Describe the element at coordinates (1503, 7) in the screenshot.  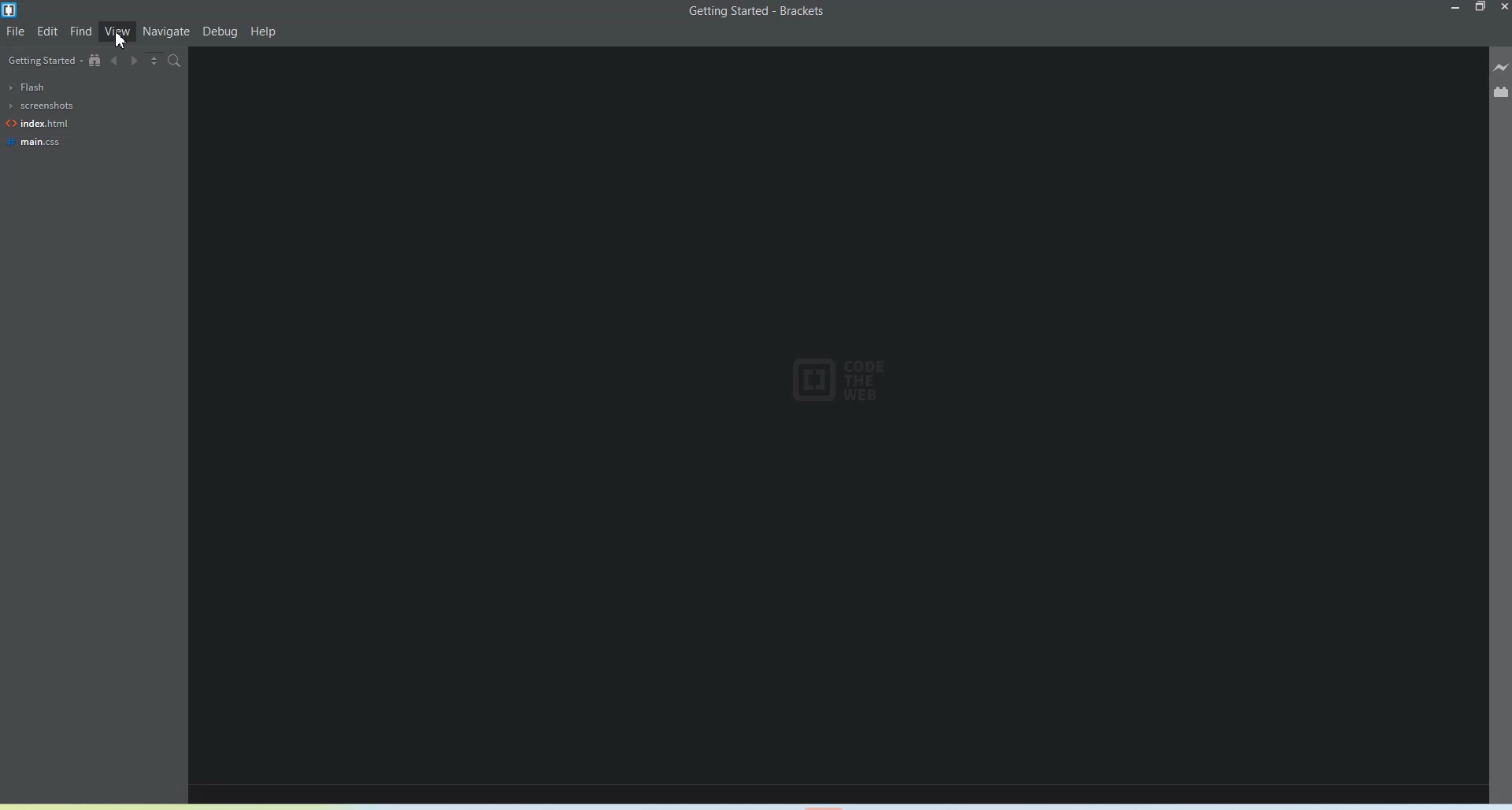
I see `Close` at that location.